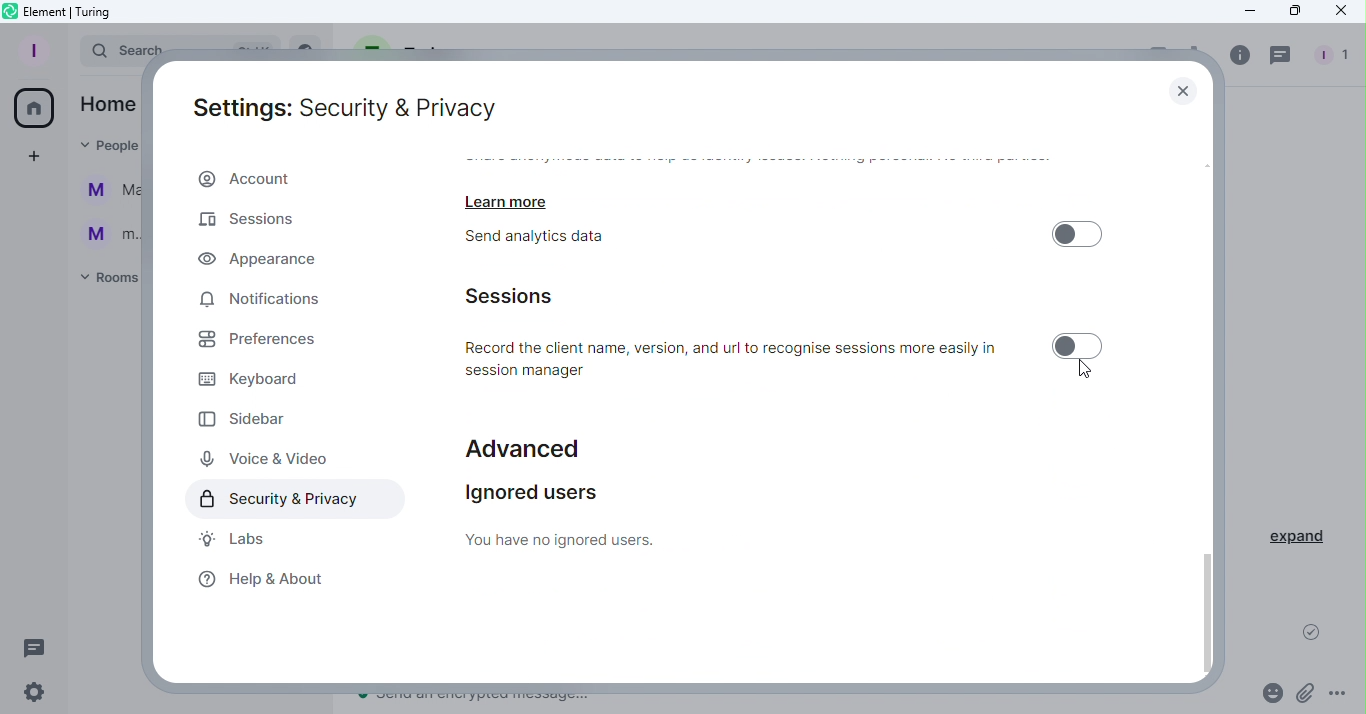  I want to click on info, so click(1235, 55).